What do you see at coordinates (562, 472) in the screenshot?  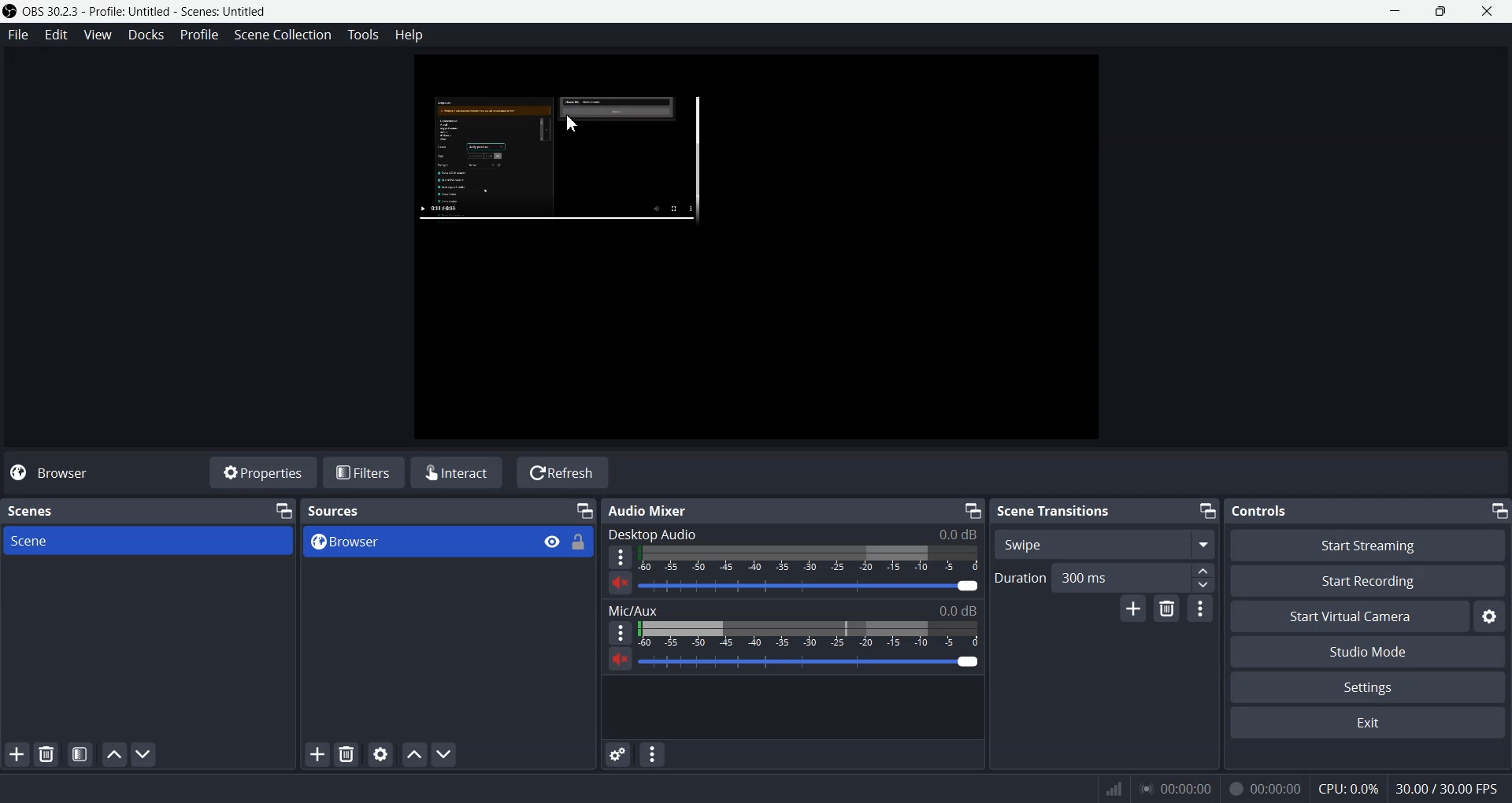 I see `Refresh` at bounding box center [562, 472].